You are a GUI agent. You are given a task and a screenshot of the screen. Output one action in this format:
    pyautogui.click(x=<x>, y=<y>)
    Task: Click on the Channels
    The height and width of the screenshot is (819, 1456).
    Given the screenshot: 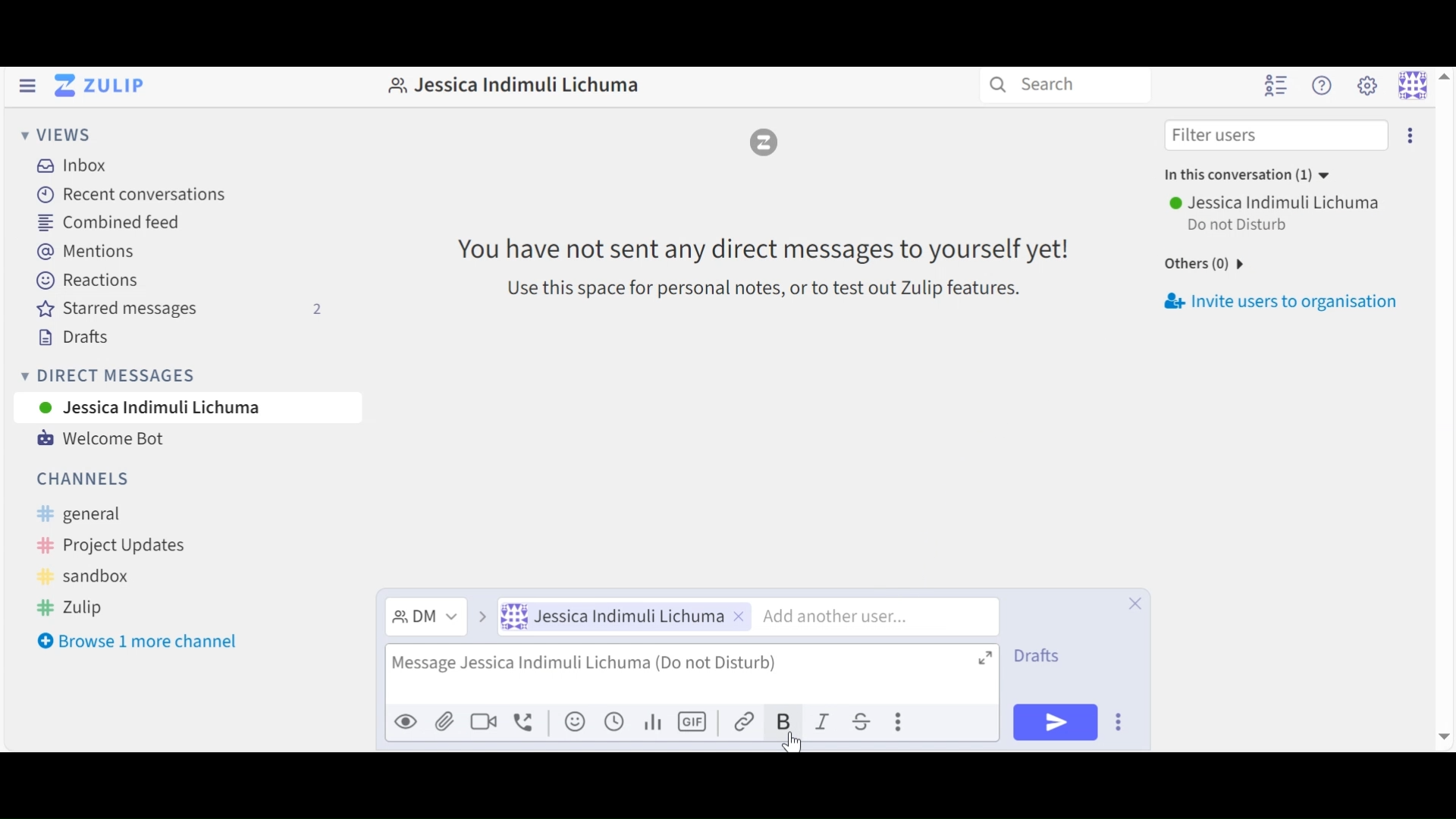 What is the action you would take?
    pyautogui.click(x=86, y=477)
    